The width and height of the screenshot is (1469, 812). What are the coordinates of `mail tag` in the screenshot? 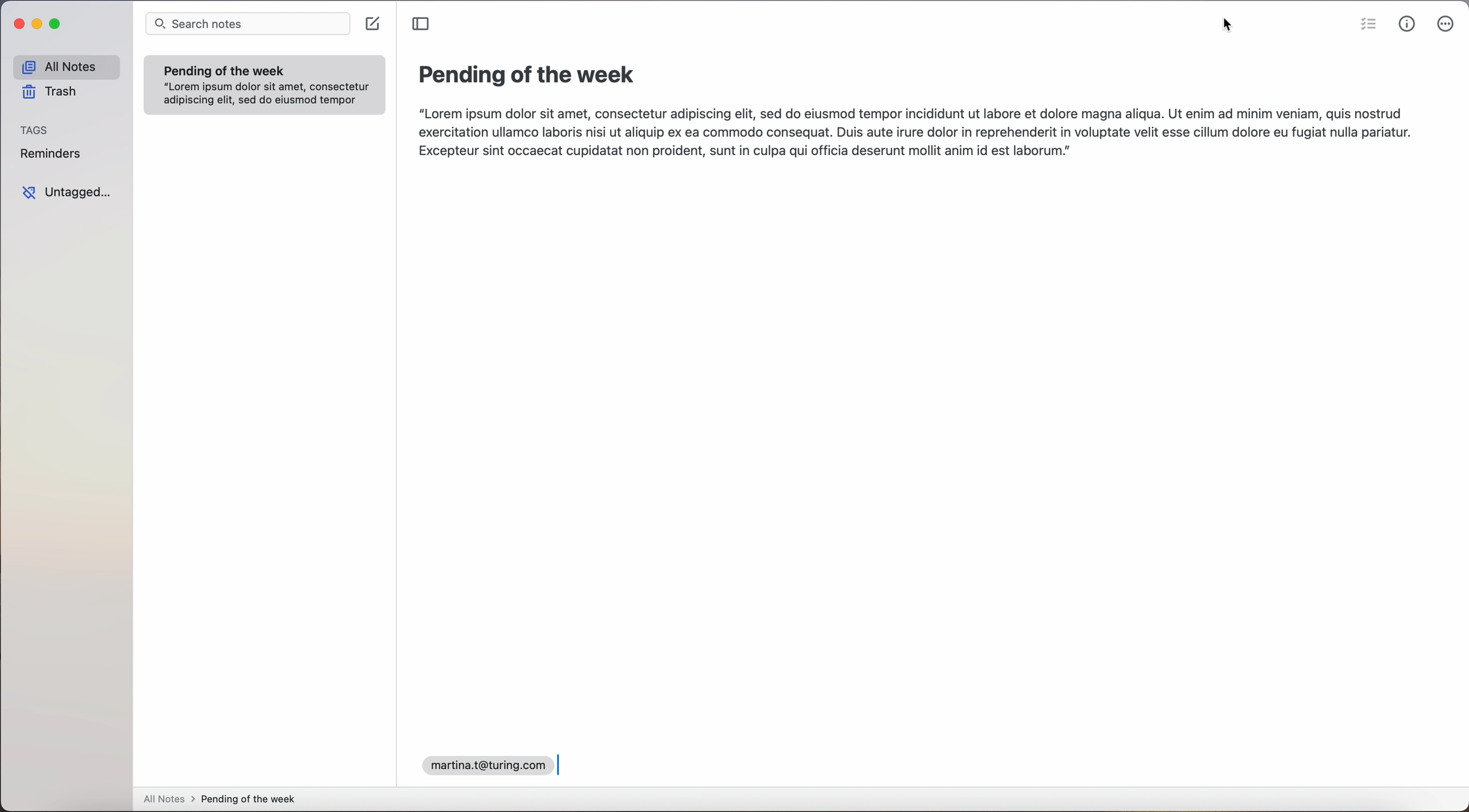 It's located at (485, 764).